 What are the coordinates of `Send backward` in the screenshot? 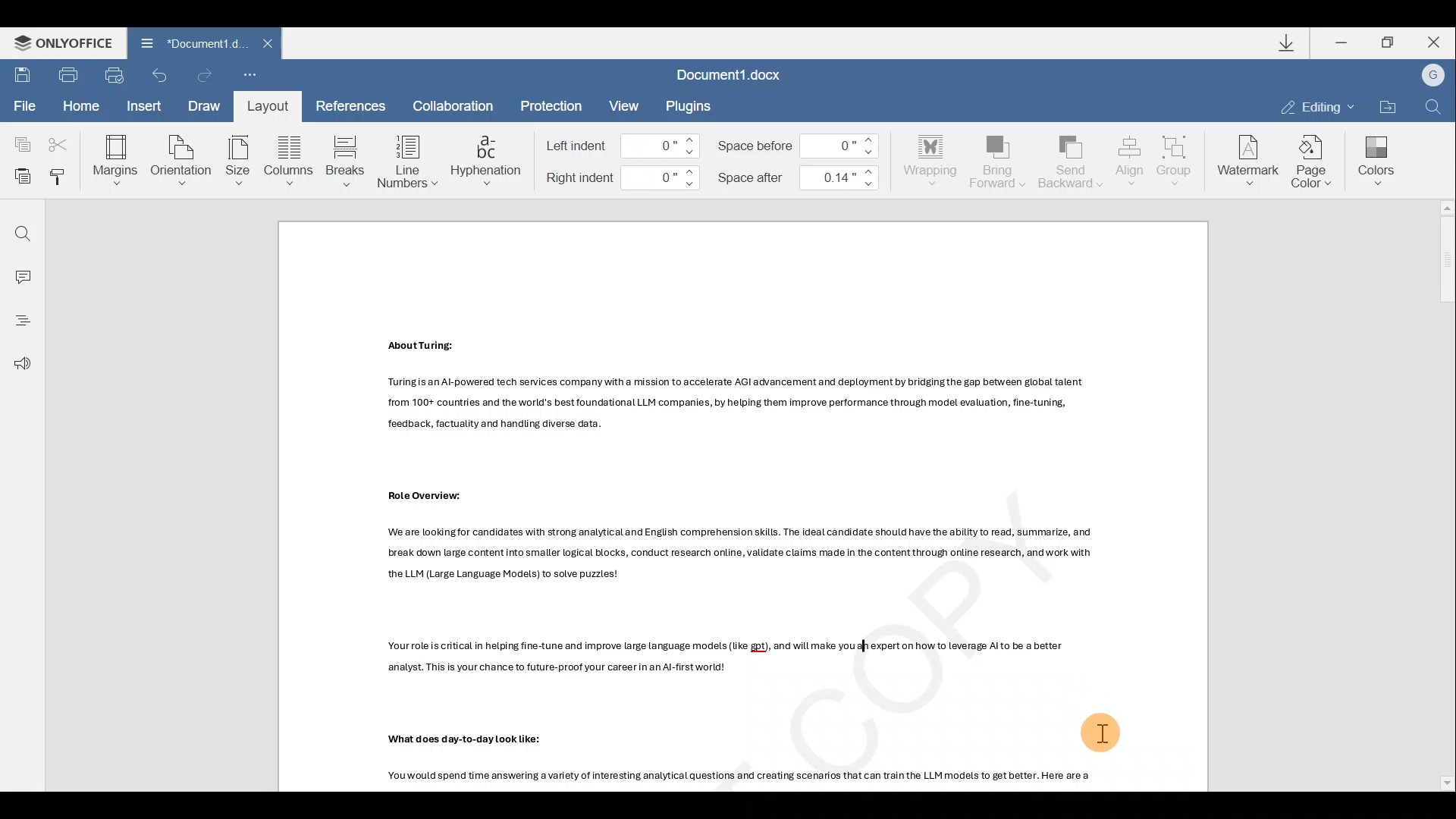 It's located at (1072, 160).